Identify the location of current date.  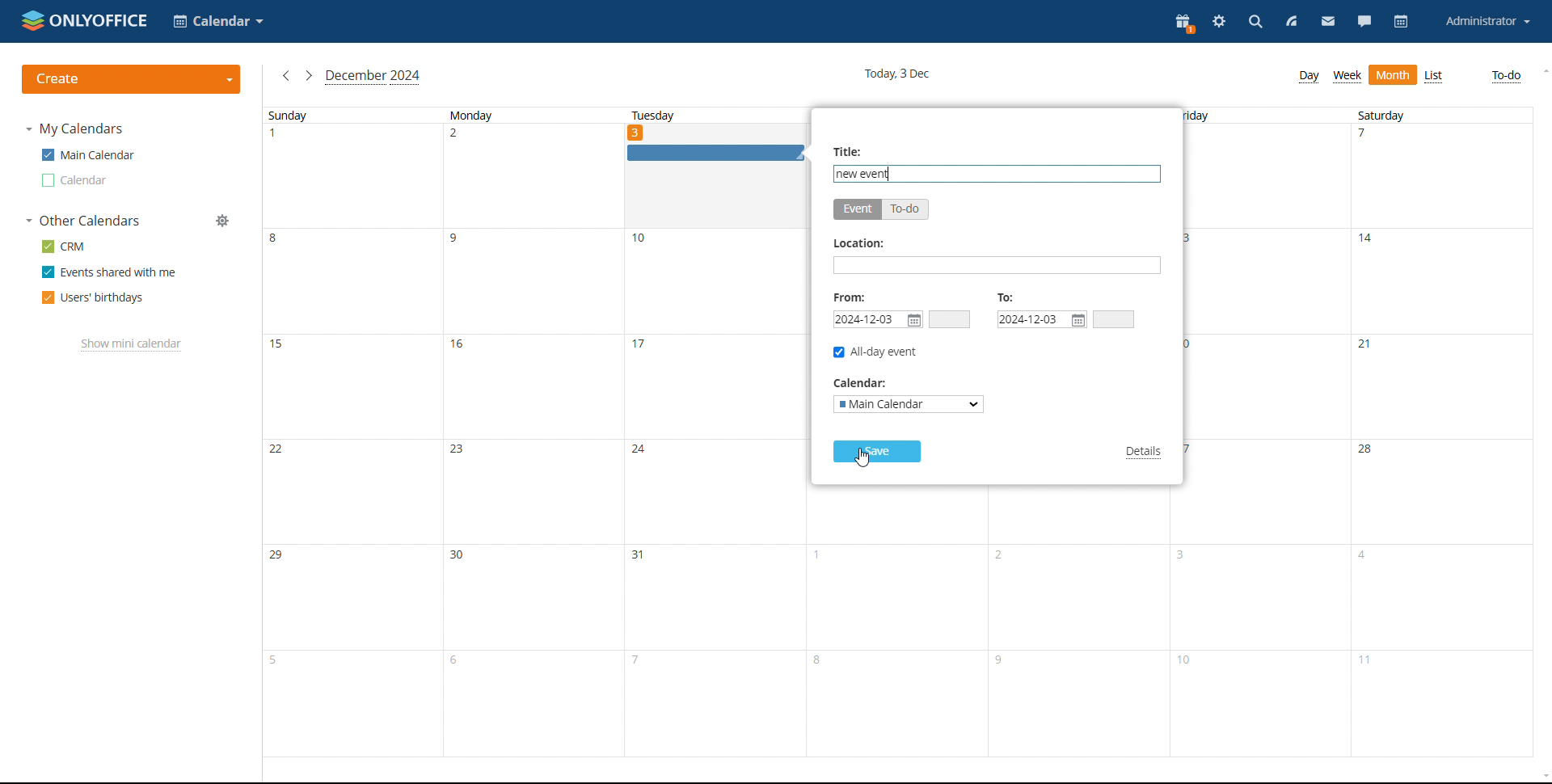
(896, 72).